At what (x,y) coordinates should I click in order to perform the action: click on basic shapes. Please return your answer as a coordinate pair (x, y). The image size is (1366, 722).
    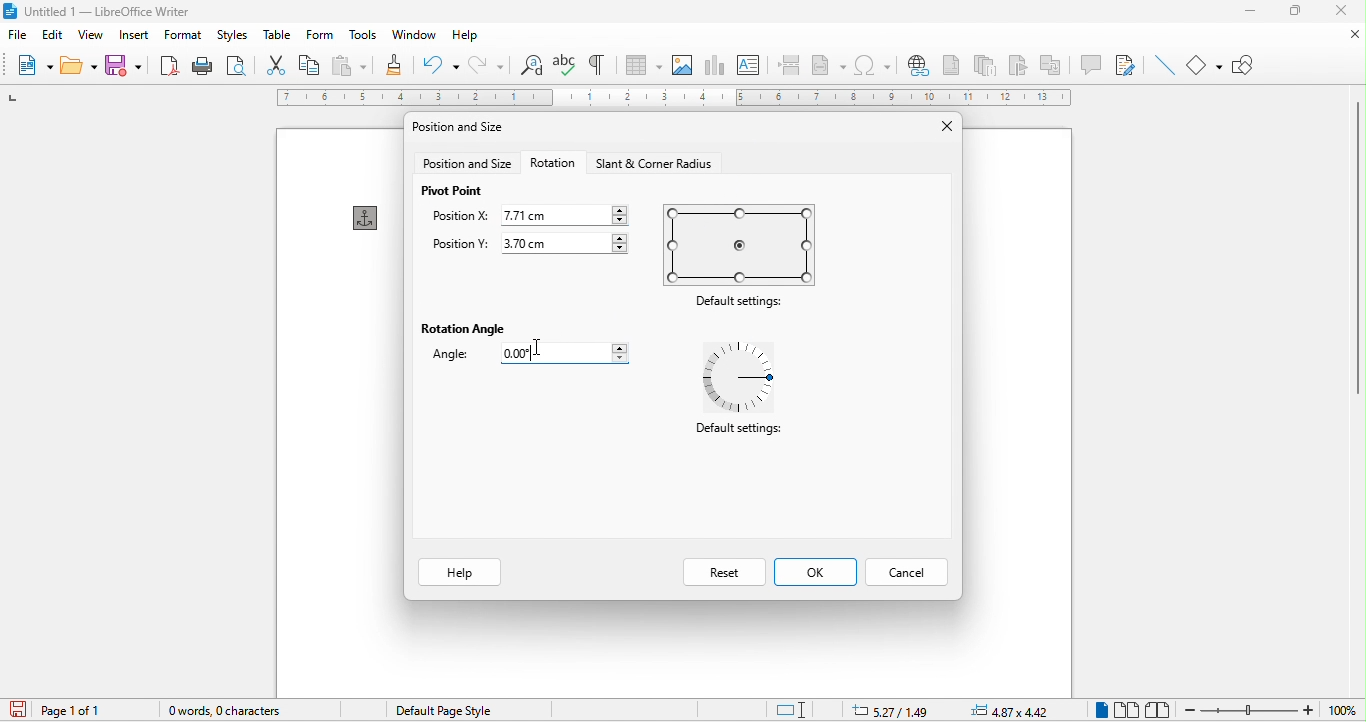
    Looking at the image, I should click on (1206, 64).